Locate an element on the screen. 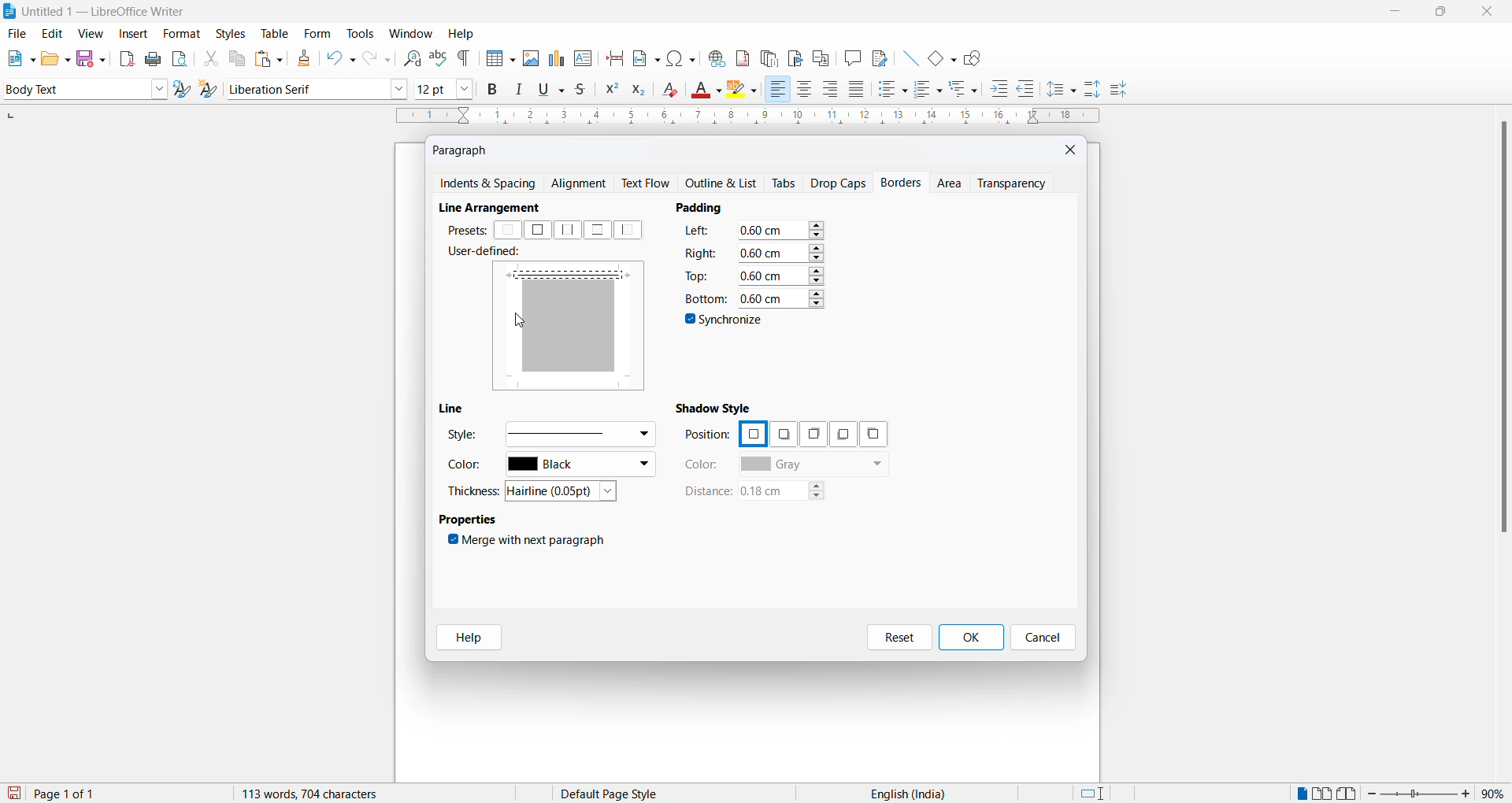  value is located at coordinates (781, 230).